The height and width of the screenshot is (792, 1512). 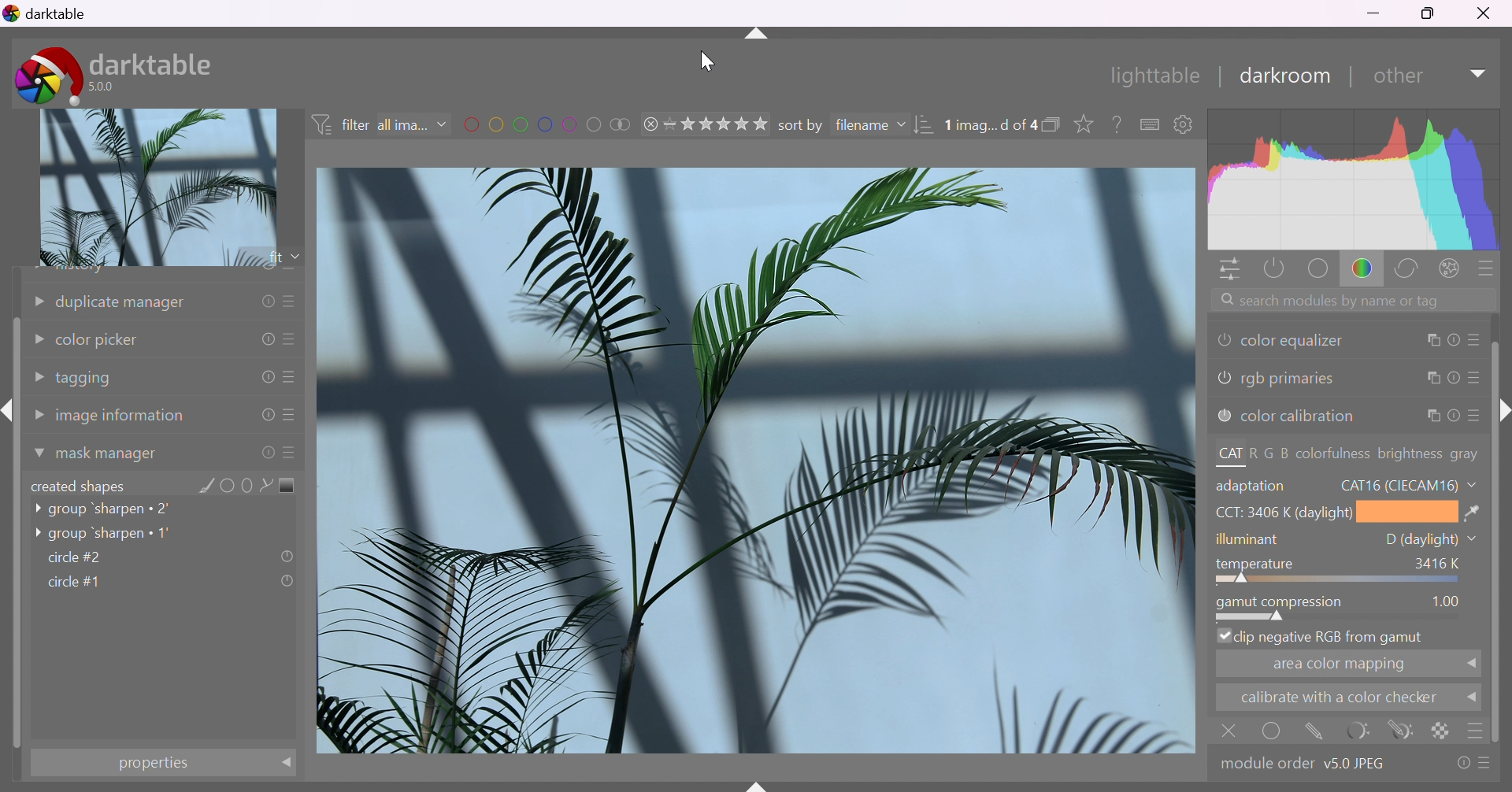 I want to click on tempreture, so click(x=1350, y=570).